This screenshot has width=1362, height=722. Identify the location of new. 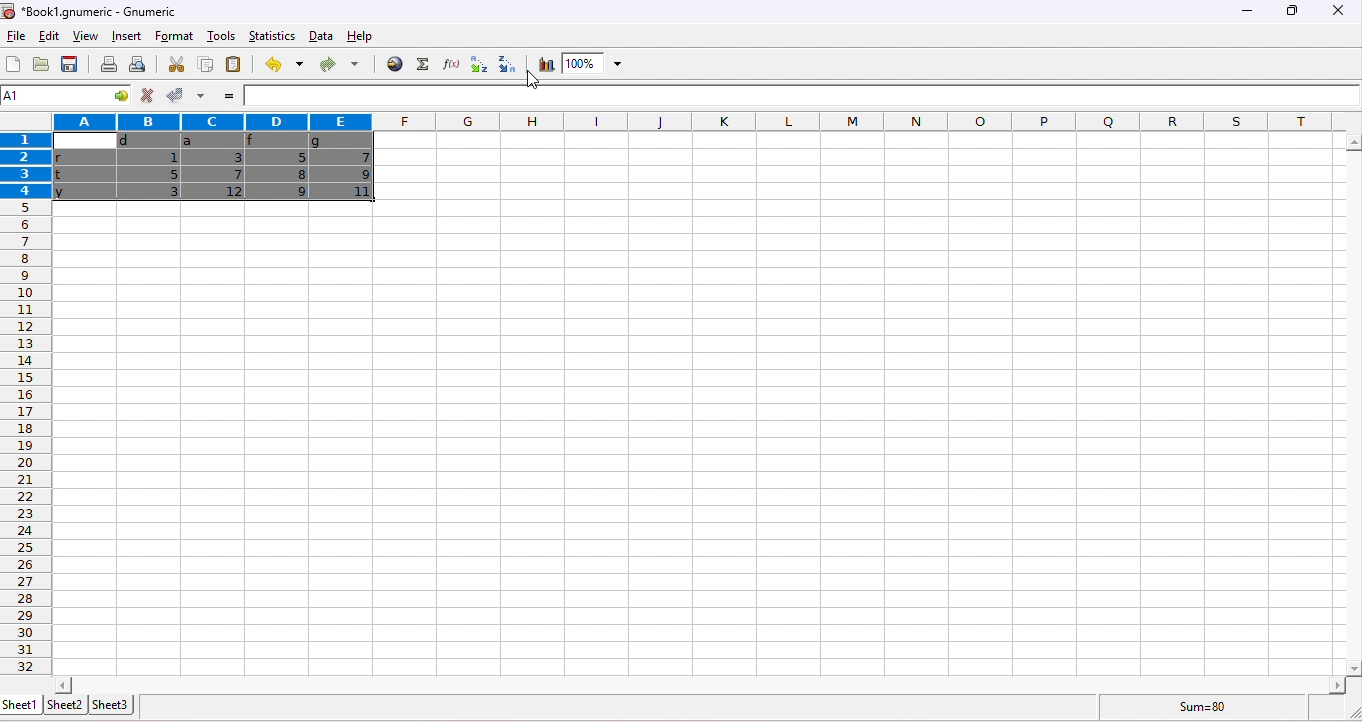
(12, 64).